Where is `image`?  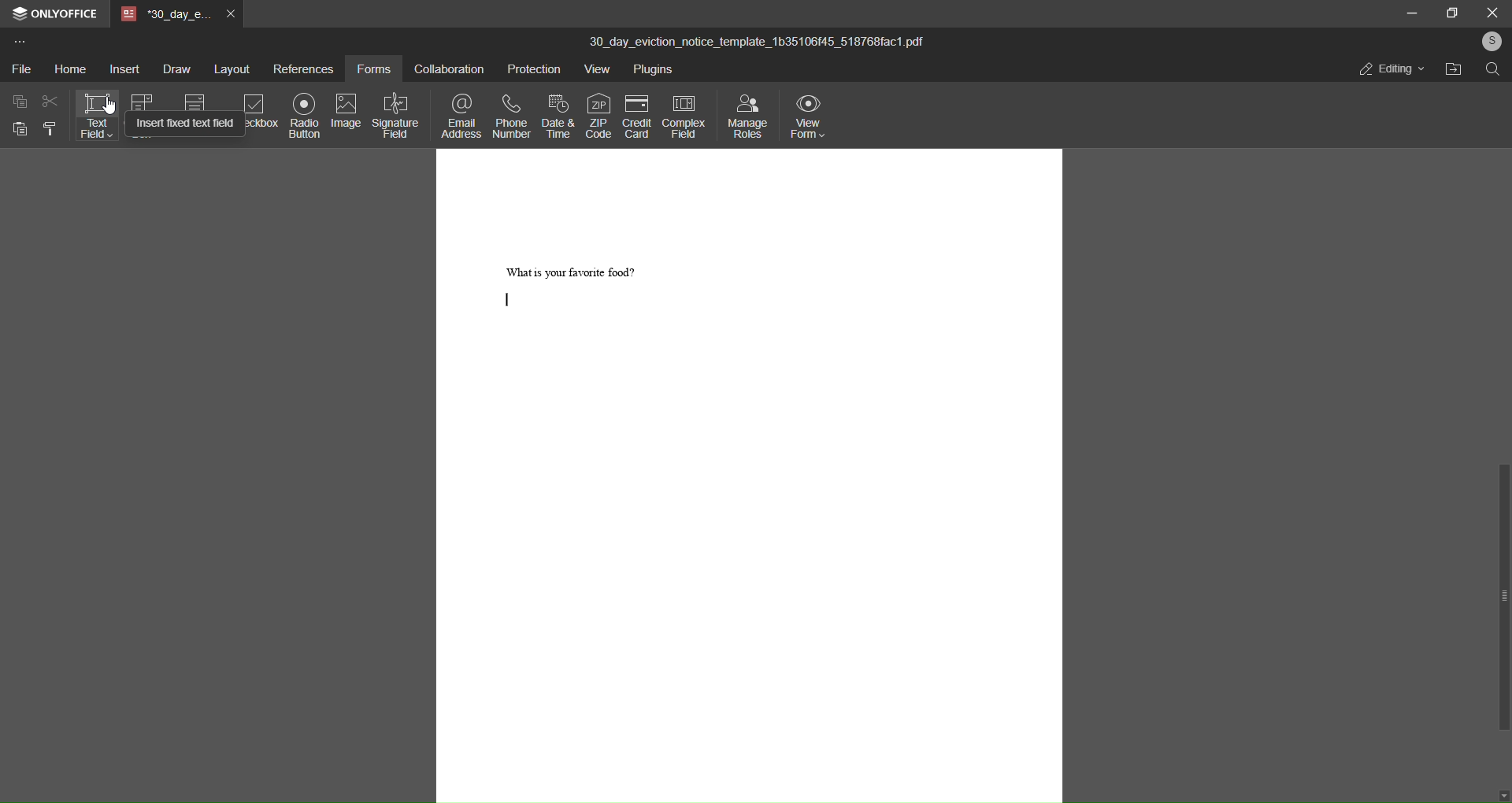 image is located at coordinates (346, 110).